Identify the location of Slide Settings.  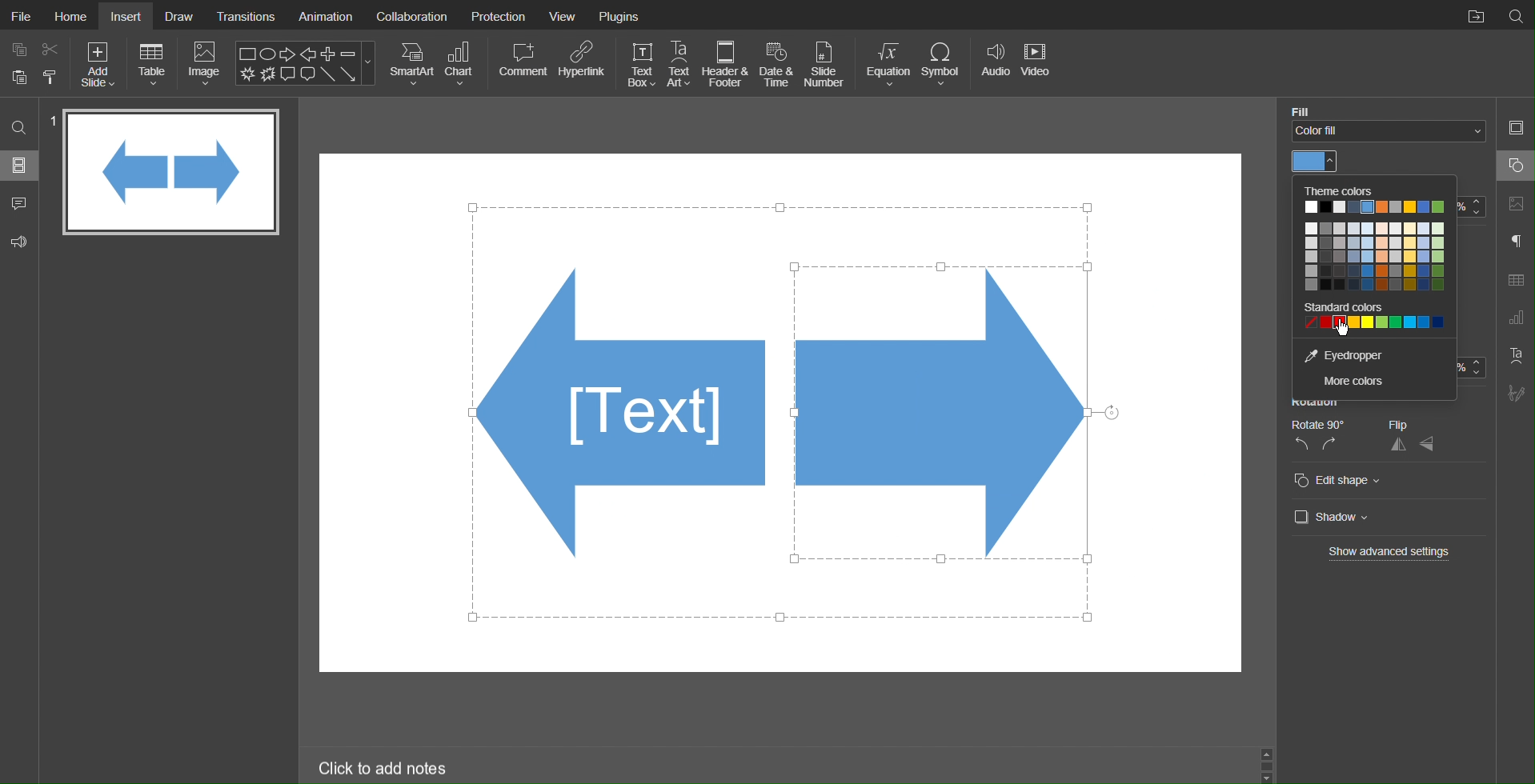
(1517, 128).